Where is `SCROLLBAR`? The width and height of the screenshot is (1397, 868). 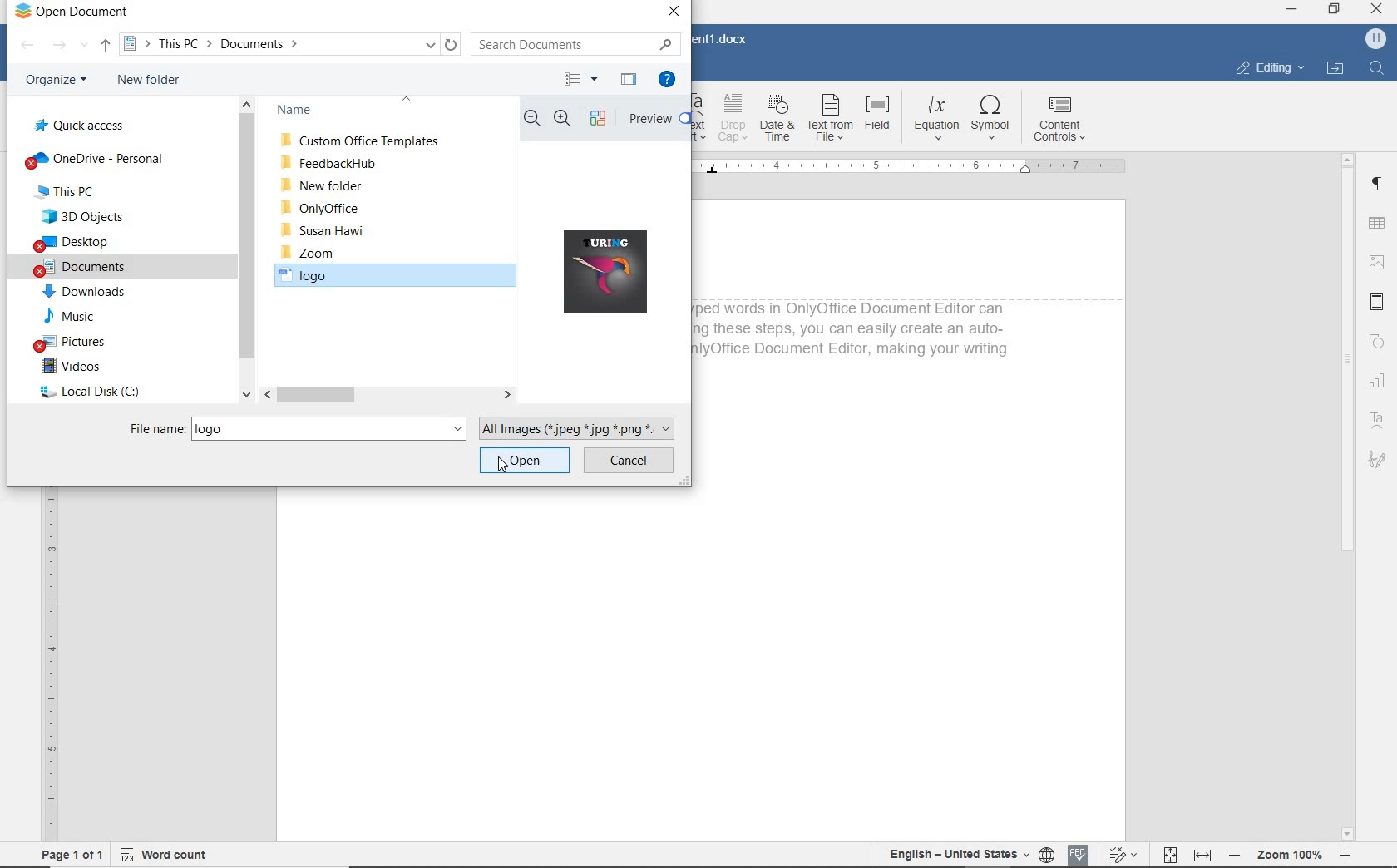 SCROLLBAR is located at coordinates (1348, 496).